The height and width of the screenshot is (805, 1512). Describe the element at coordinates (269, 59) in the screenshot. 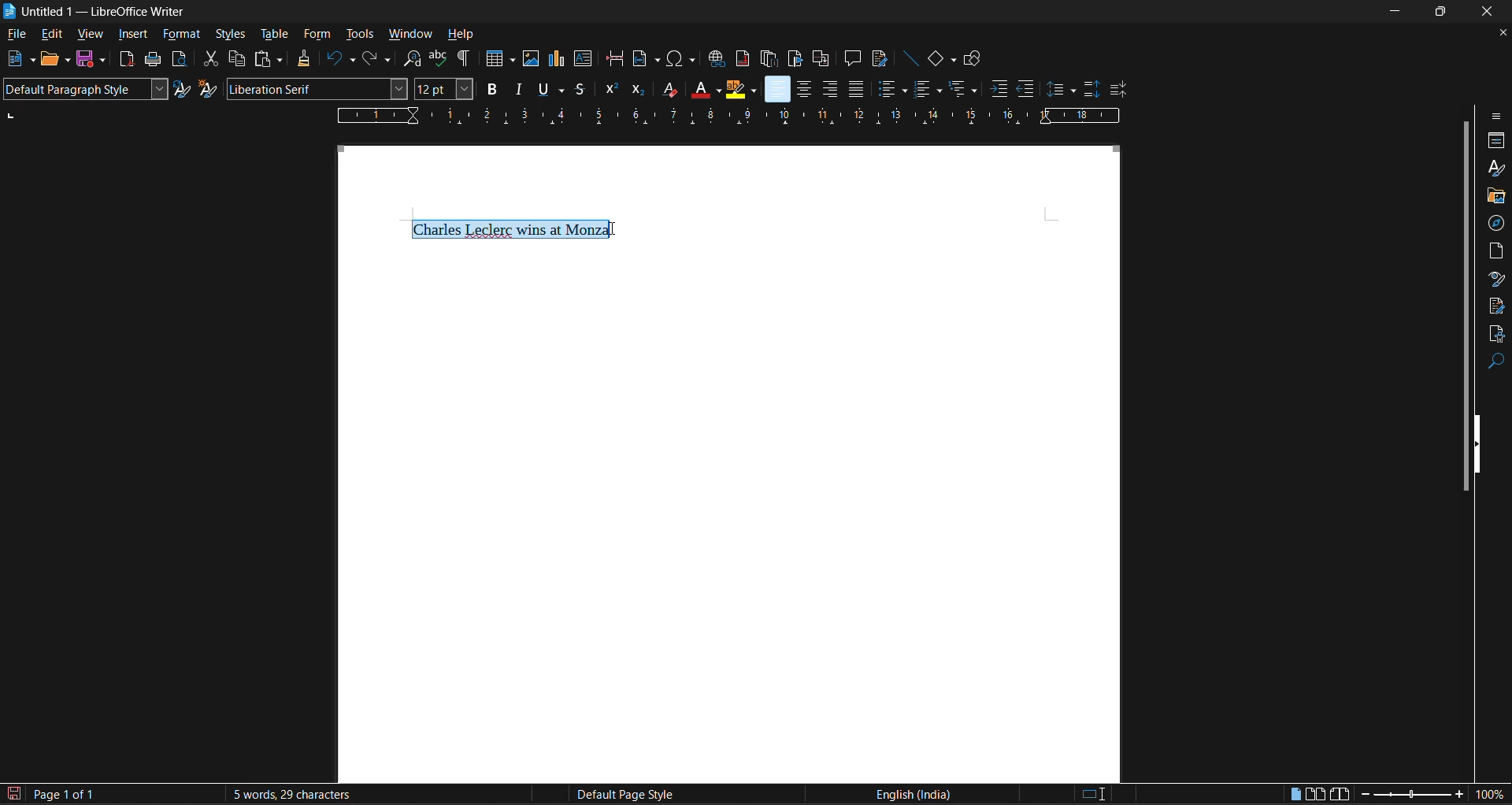

I see `paste` at that location.